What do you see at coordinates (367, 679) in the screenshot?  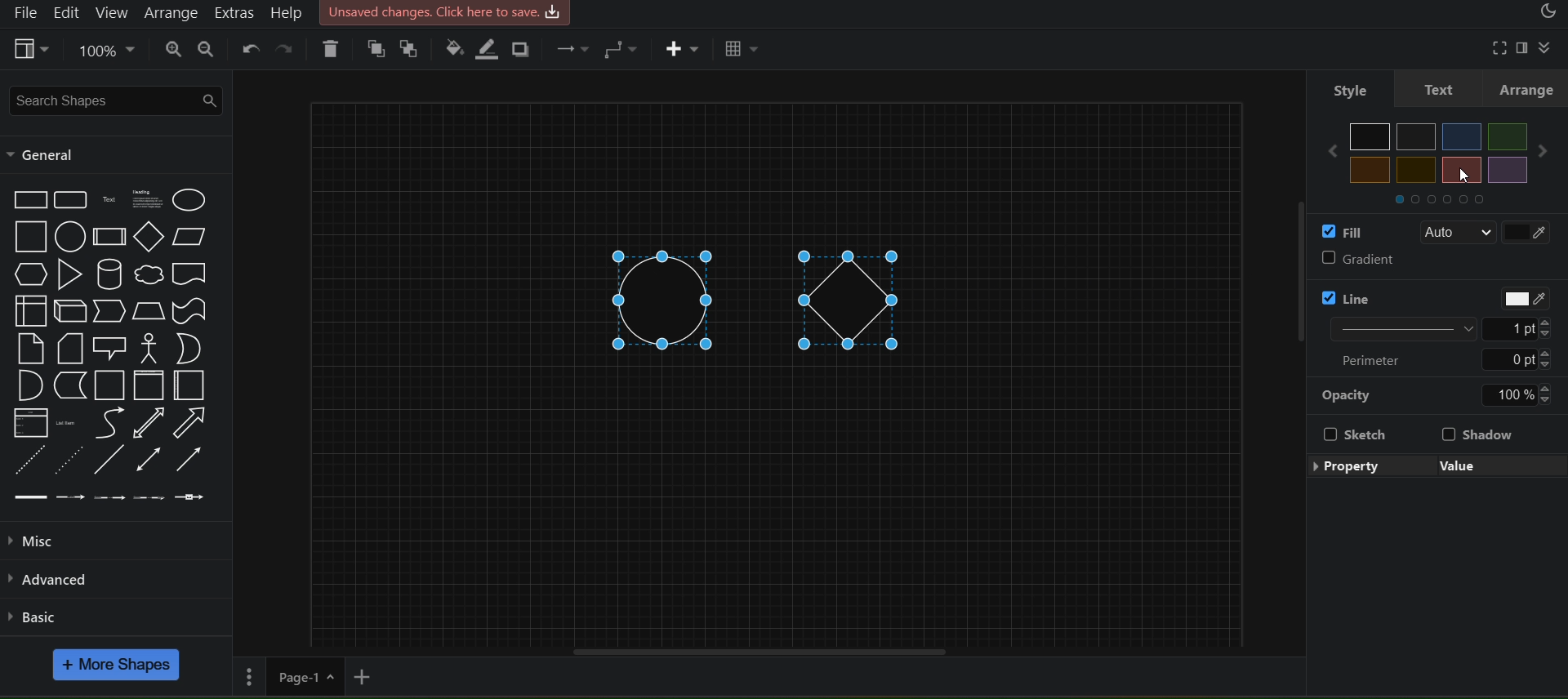 I see `add new page` at bounding box center [367, 679].